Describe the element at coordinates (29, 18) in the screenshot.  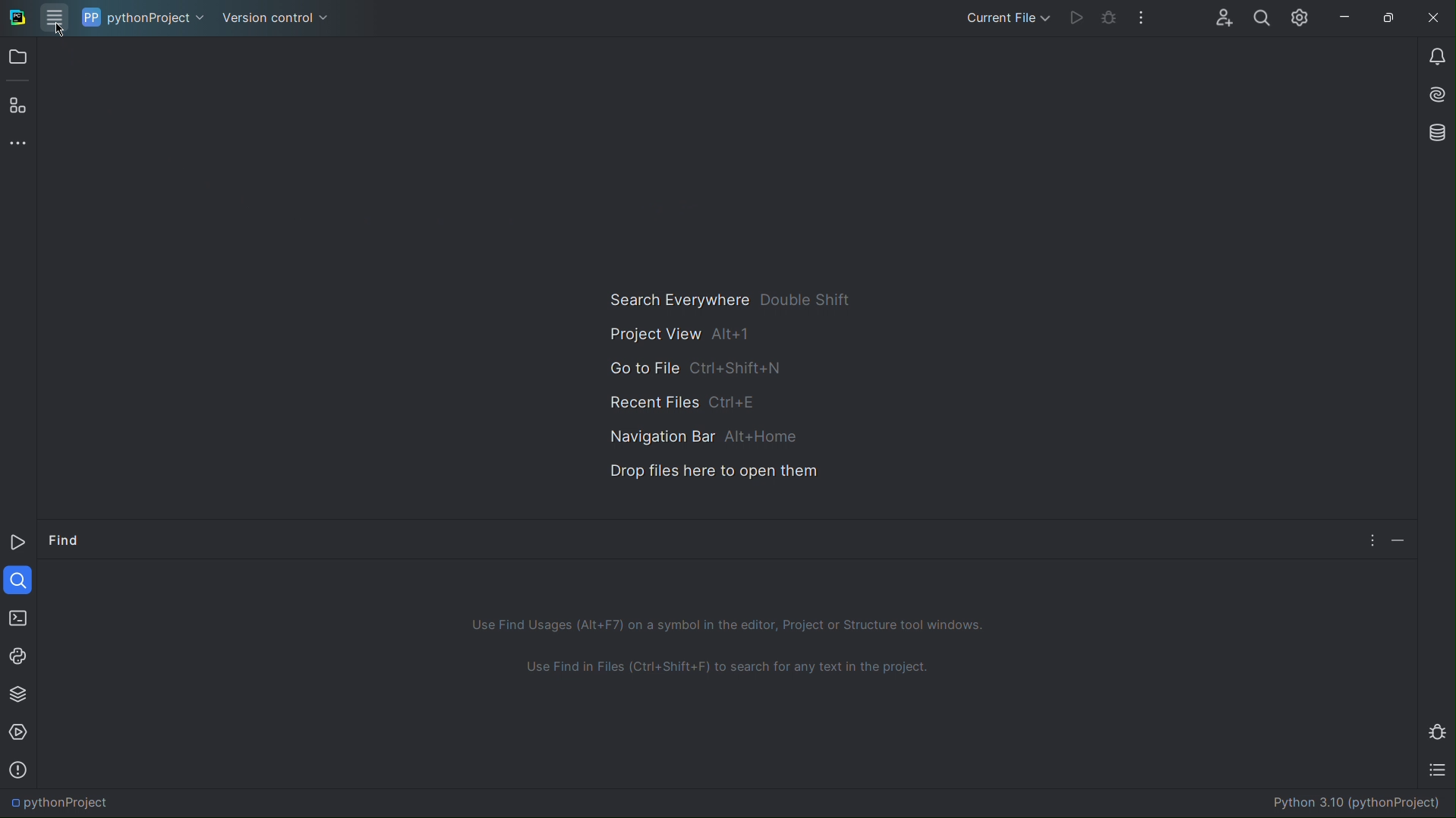
I see `Logo` at that location.